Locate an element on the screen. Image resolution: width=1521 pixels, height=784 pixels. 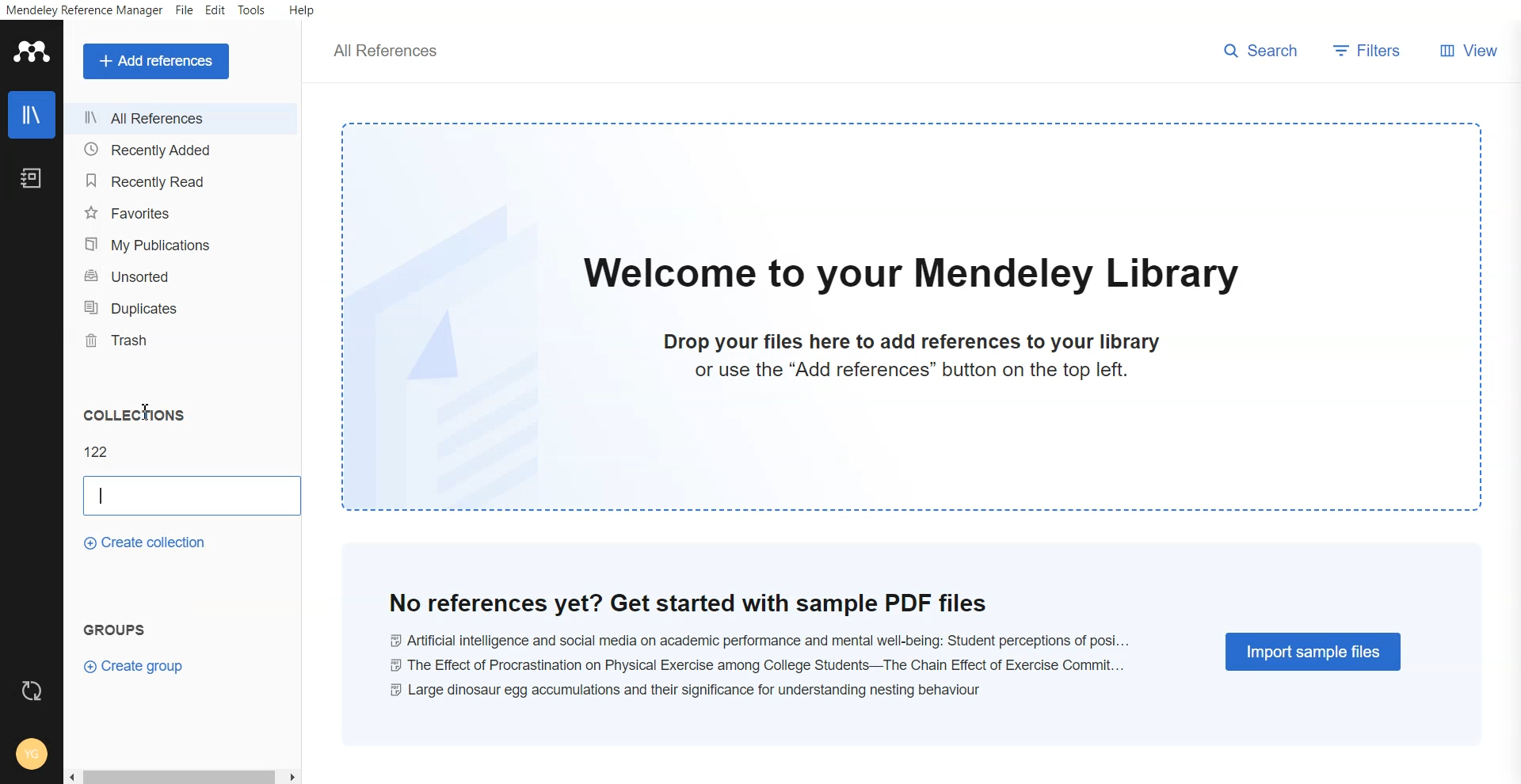
Import simple files is located at coordinates (1315, 650).